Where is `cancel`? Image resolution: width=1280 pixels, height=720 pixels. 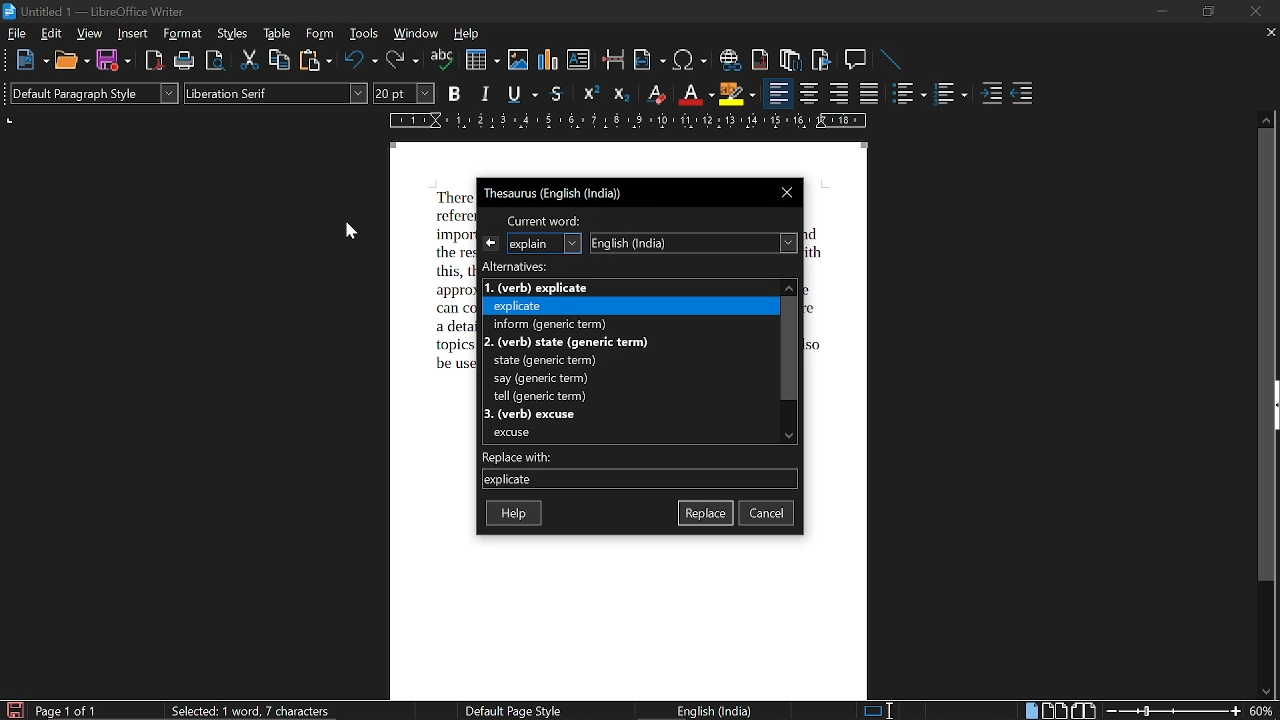
cancel is located at coordinates (768, 514).